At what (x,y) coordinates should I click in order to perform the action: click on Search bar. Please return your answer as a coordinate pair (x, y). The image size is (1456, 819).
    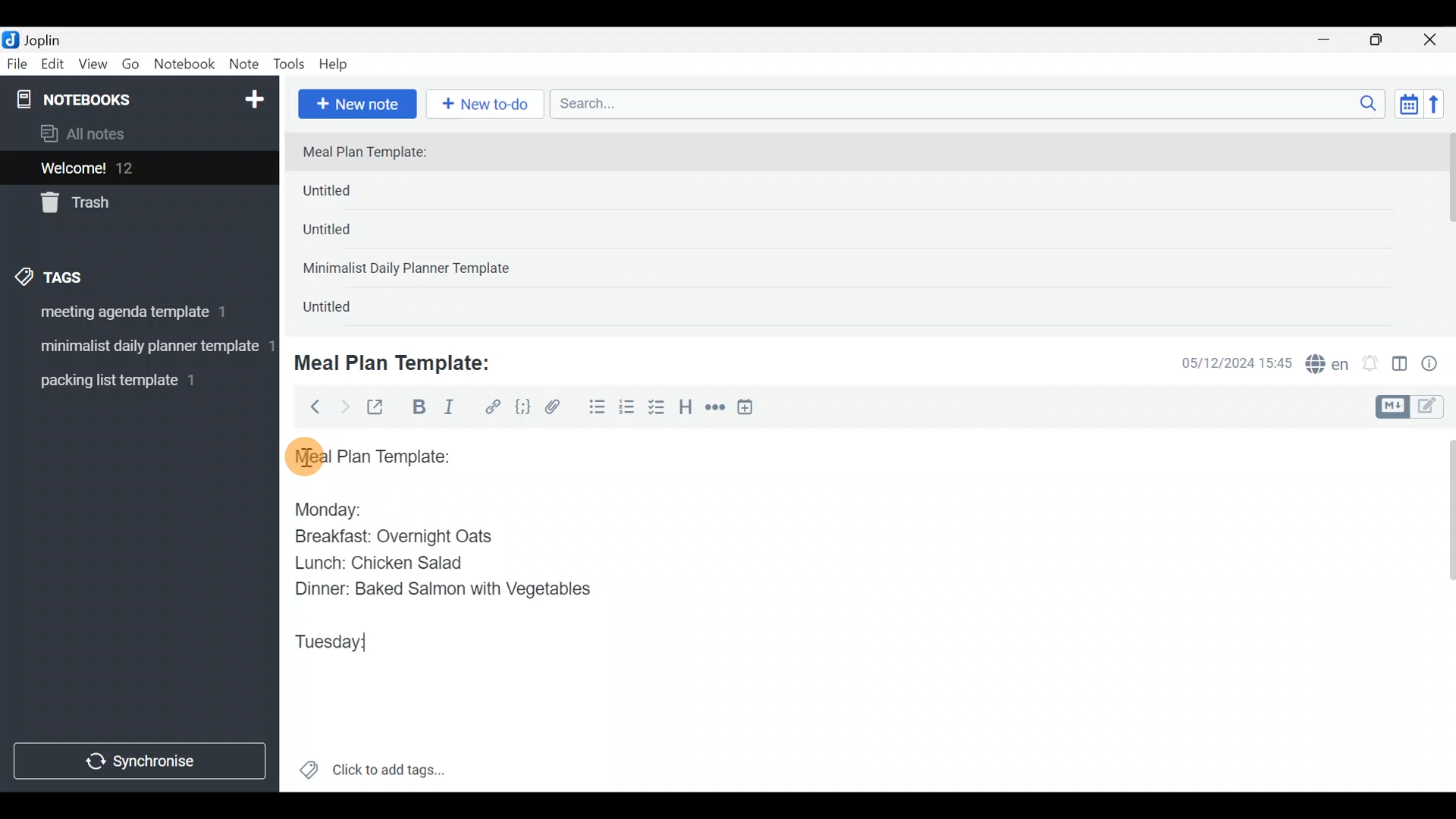
    Looking at the image, I should click on (971, 102).